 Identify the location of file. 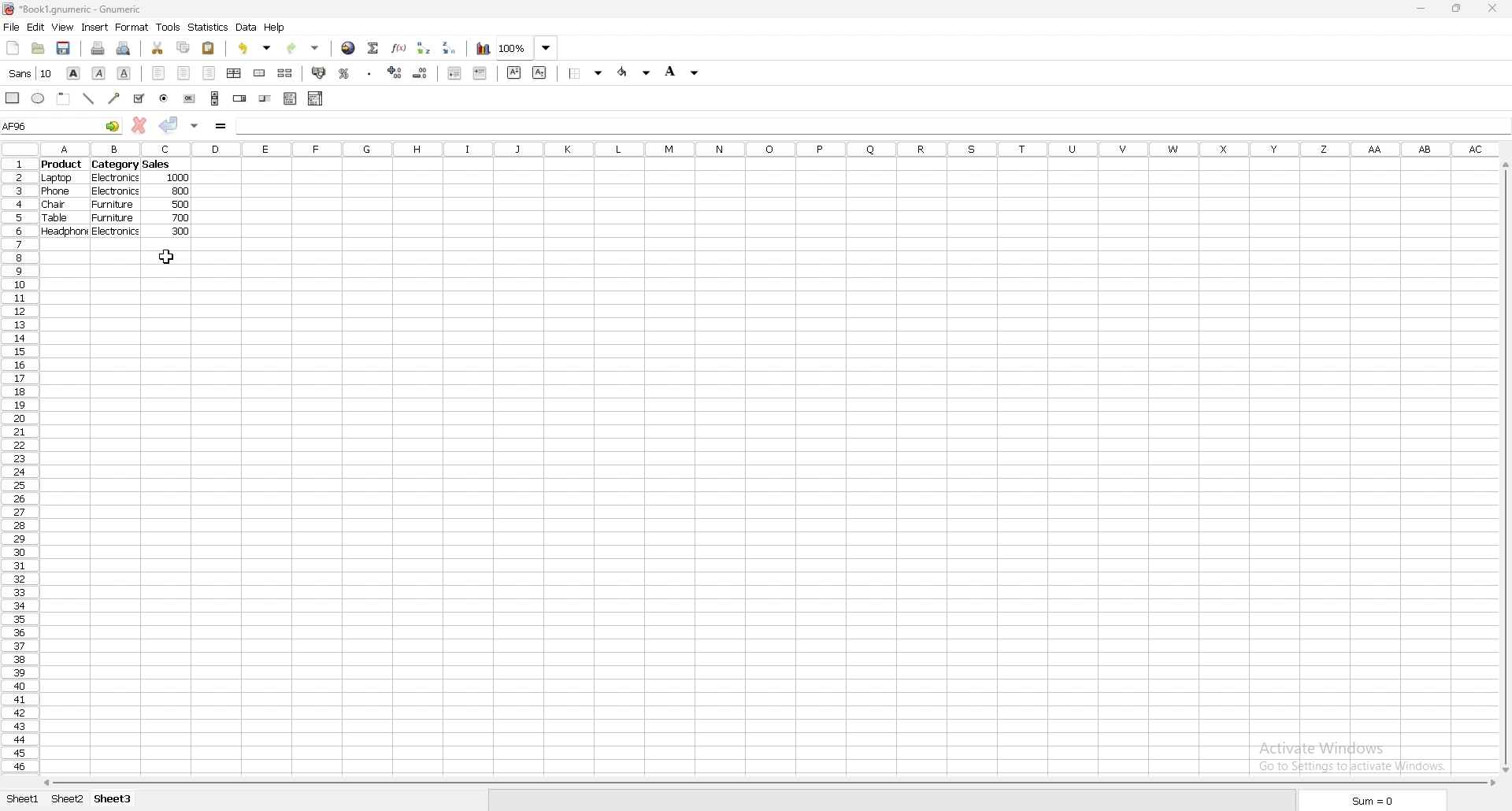
(13, 27).